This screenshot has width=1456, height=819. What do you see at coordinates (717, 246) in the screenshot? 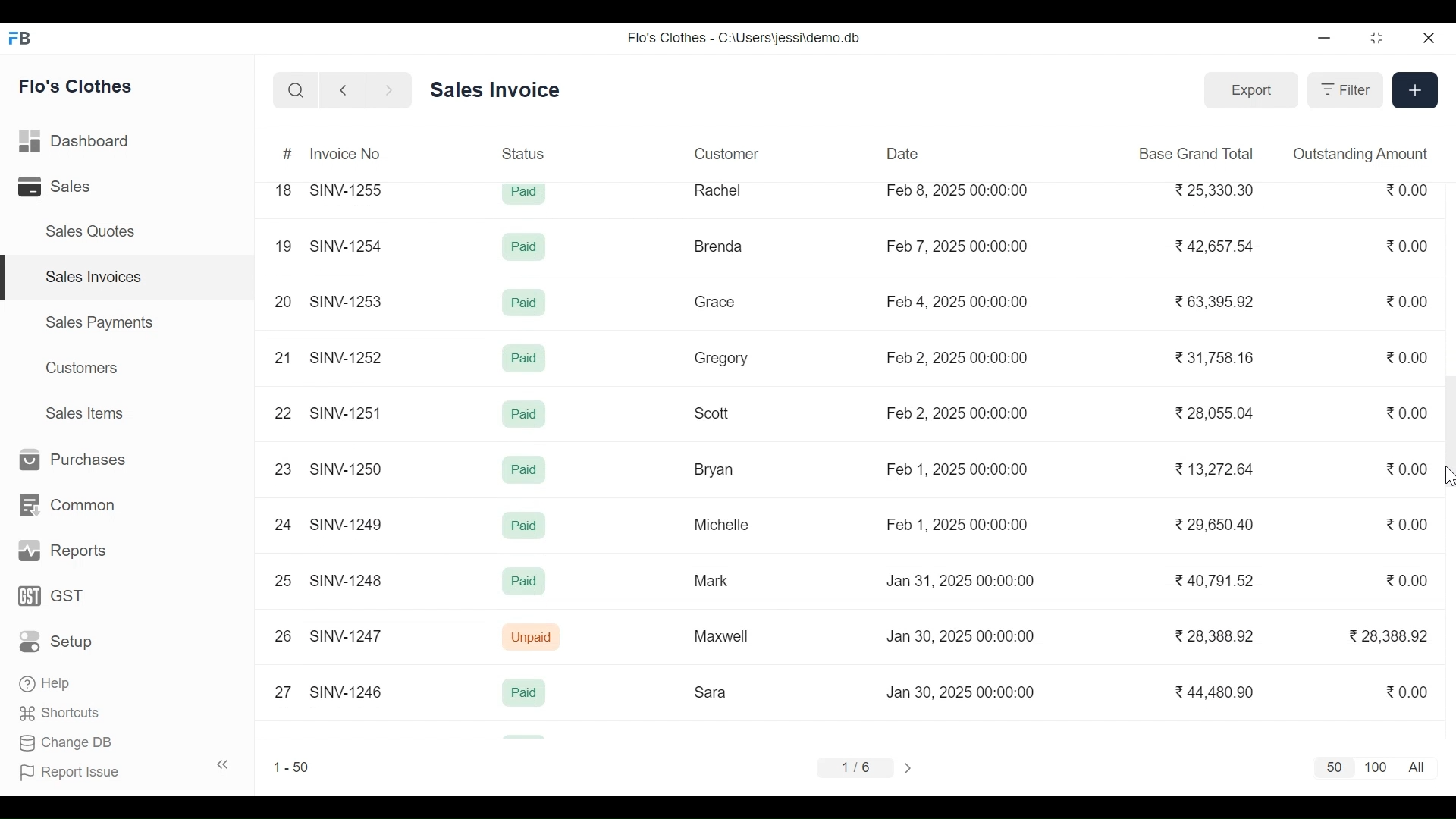
I see `Brenda` at bounding box center [717, 246].